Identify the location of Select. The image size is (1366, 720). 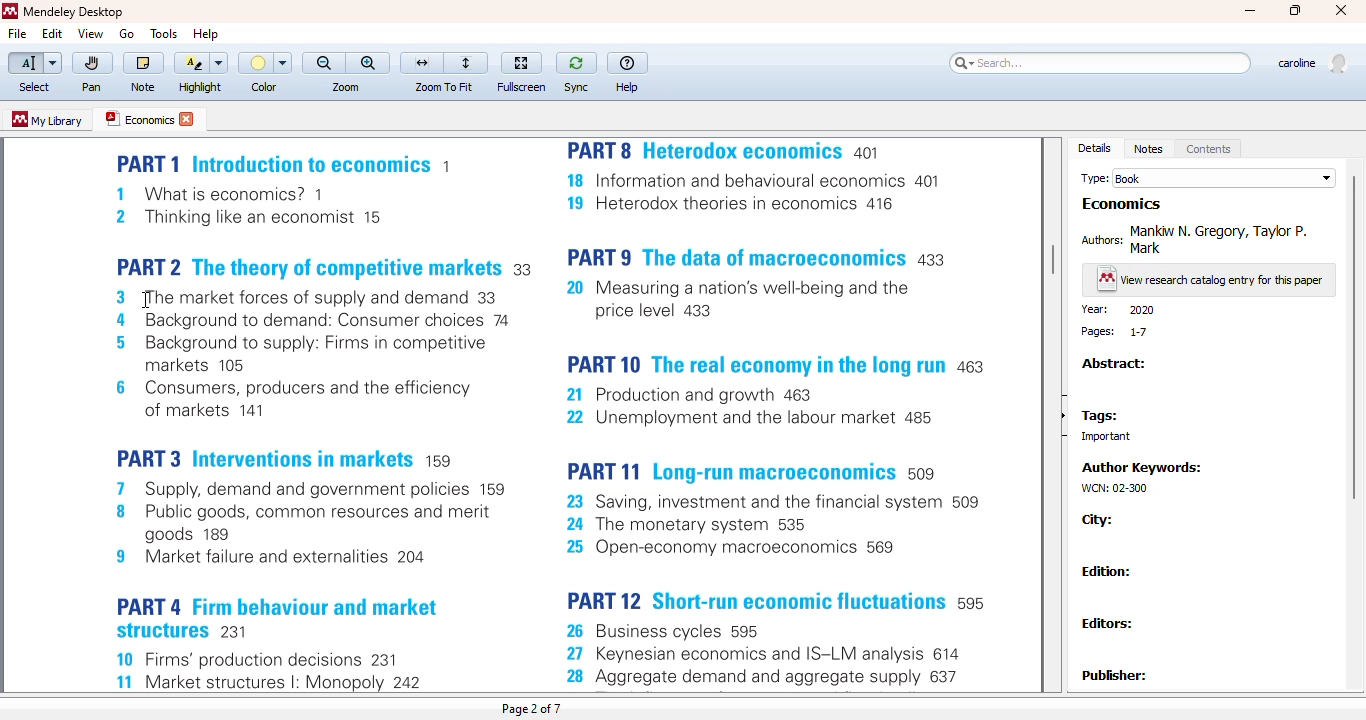
(35, 88).